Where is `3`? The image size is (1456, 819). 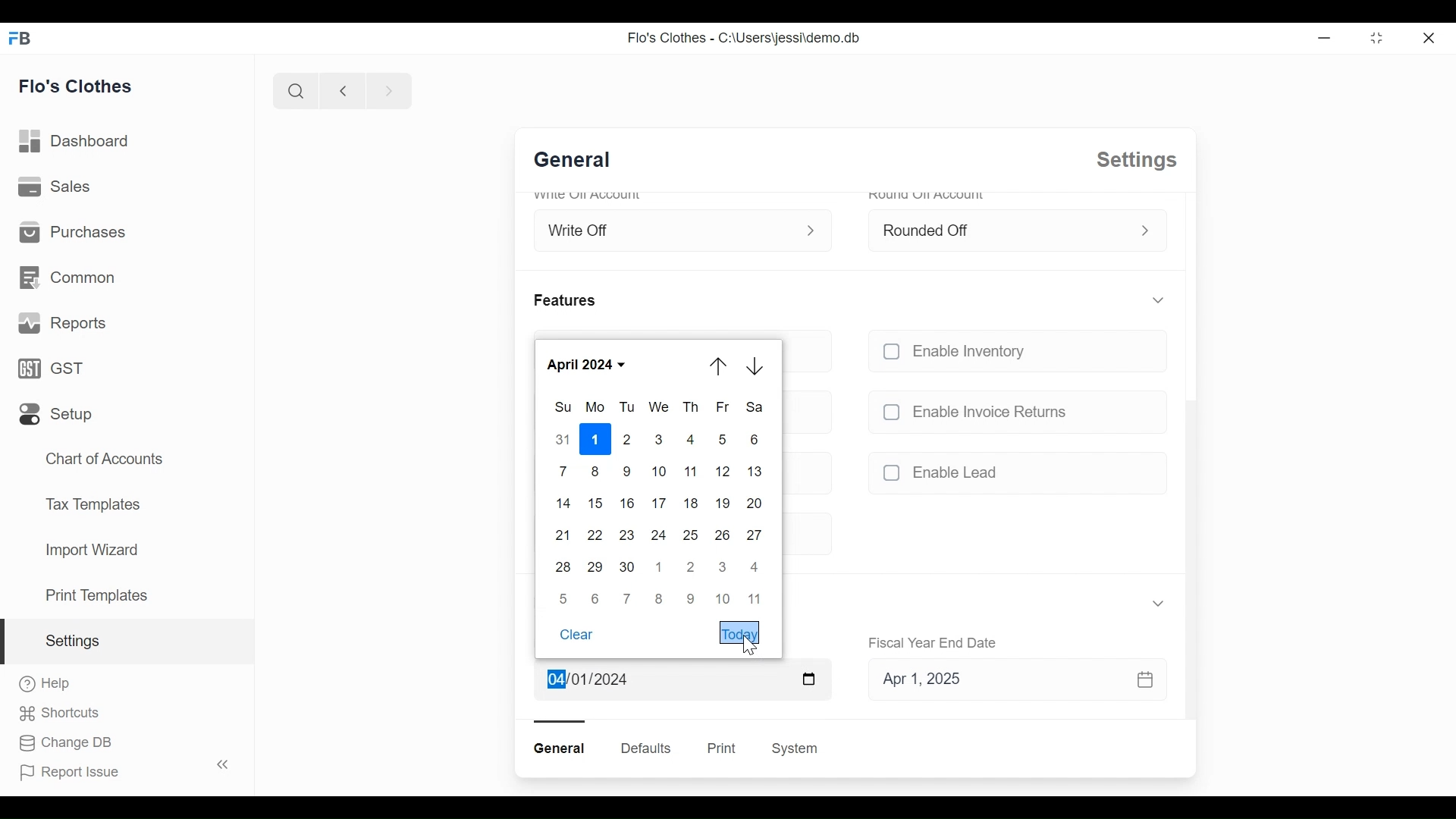
3 is located at coordinates (721, 566).